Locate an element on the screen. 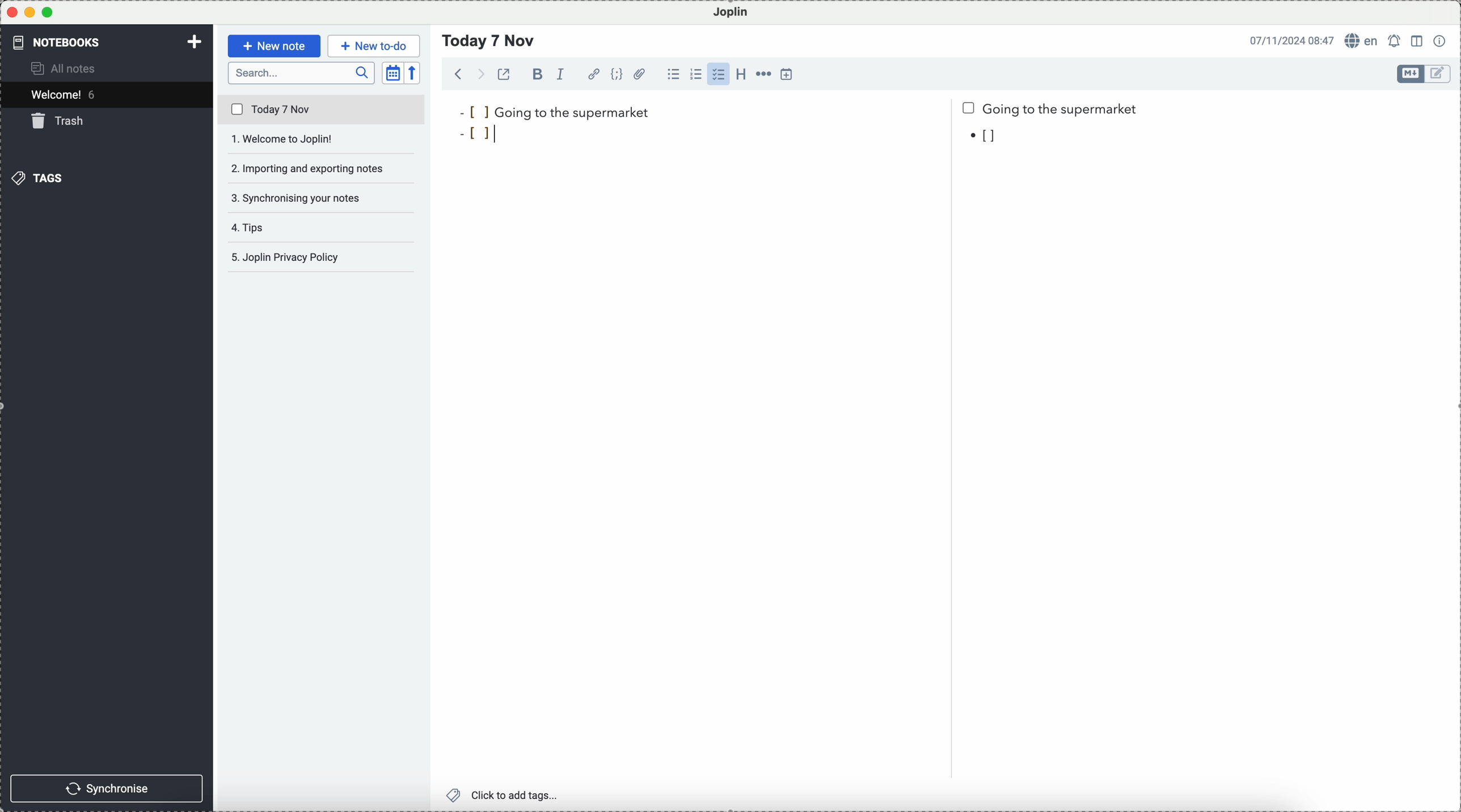 The width and height of the screenshot is (1461, 812). code is located at coordinates (617, 74).